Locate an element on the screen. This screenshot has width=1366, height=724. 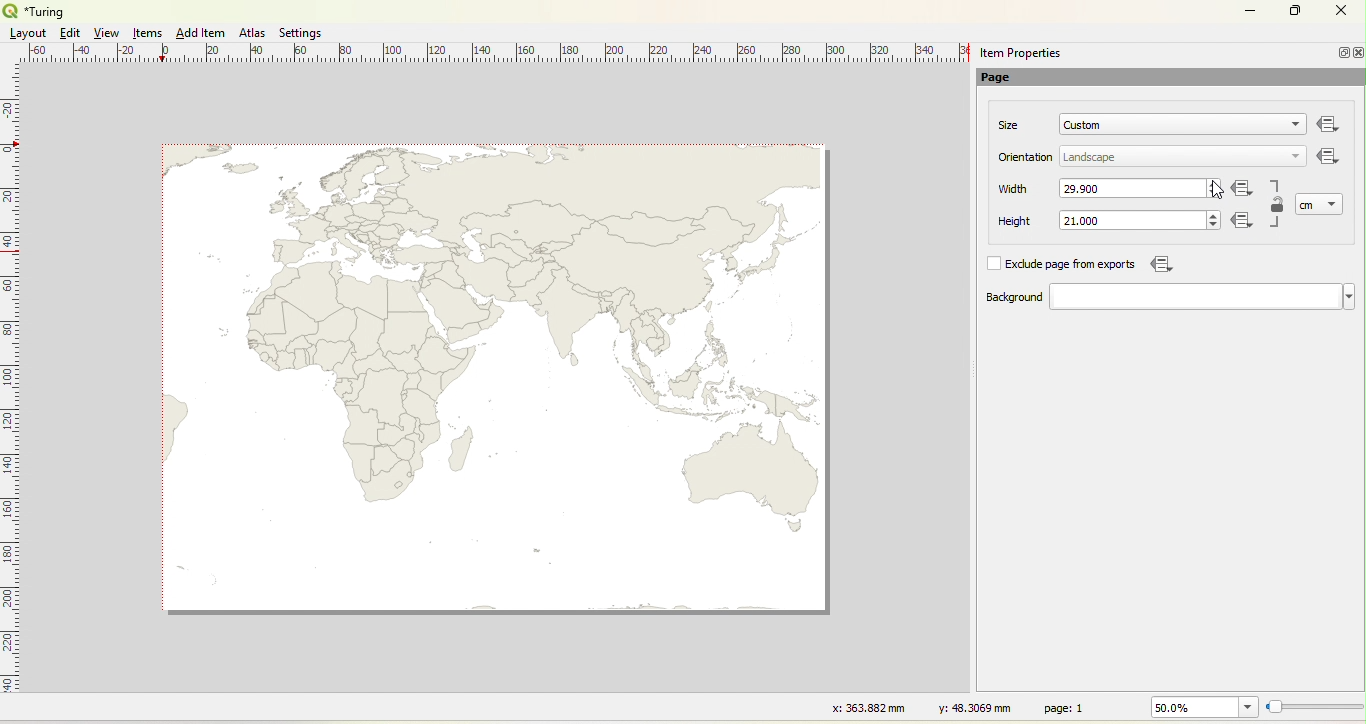
close is located at coordinates (1357, 53).